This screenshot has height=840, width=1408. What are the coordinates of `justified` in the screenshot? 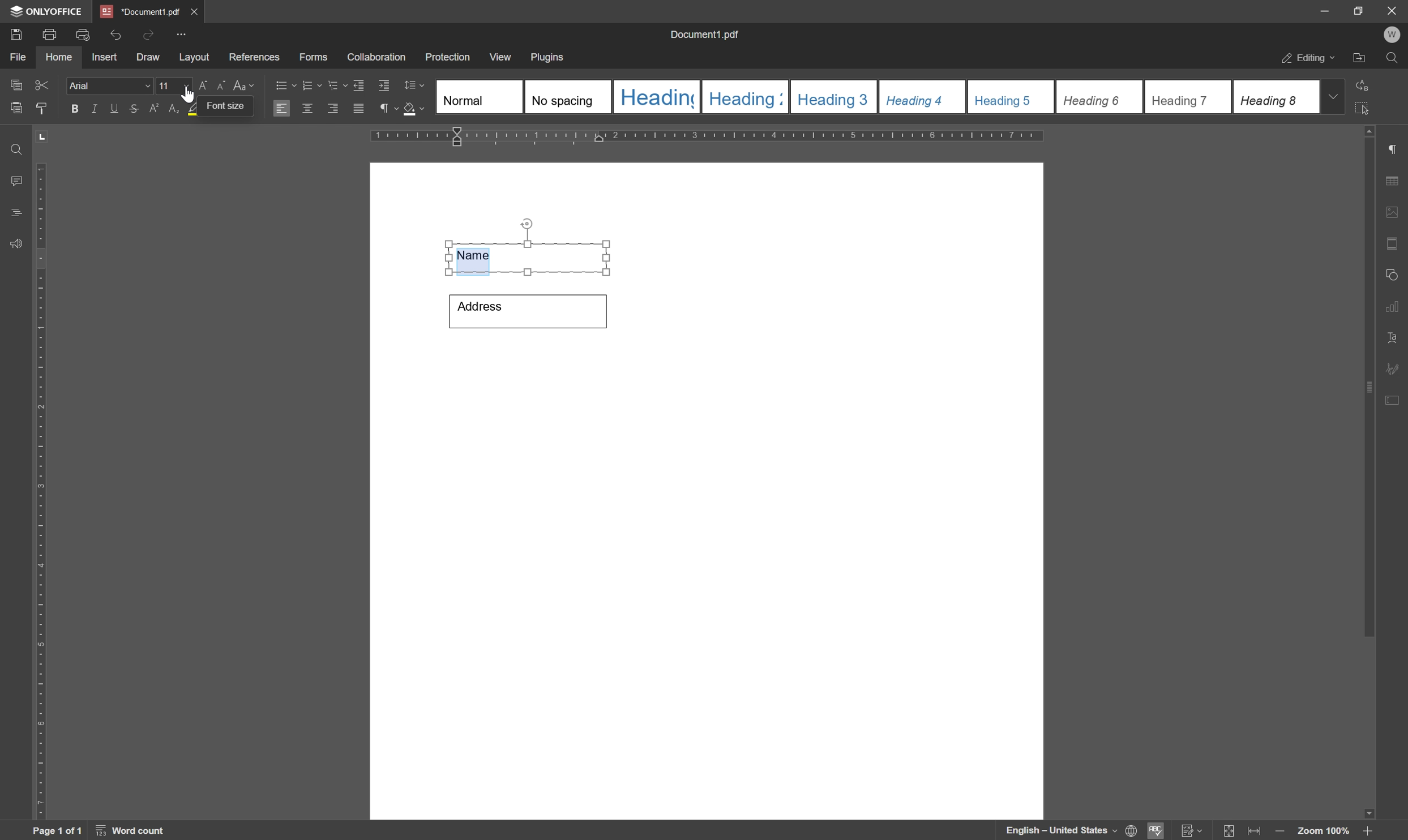 It's located at (357, 109).